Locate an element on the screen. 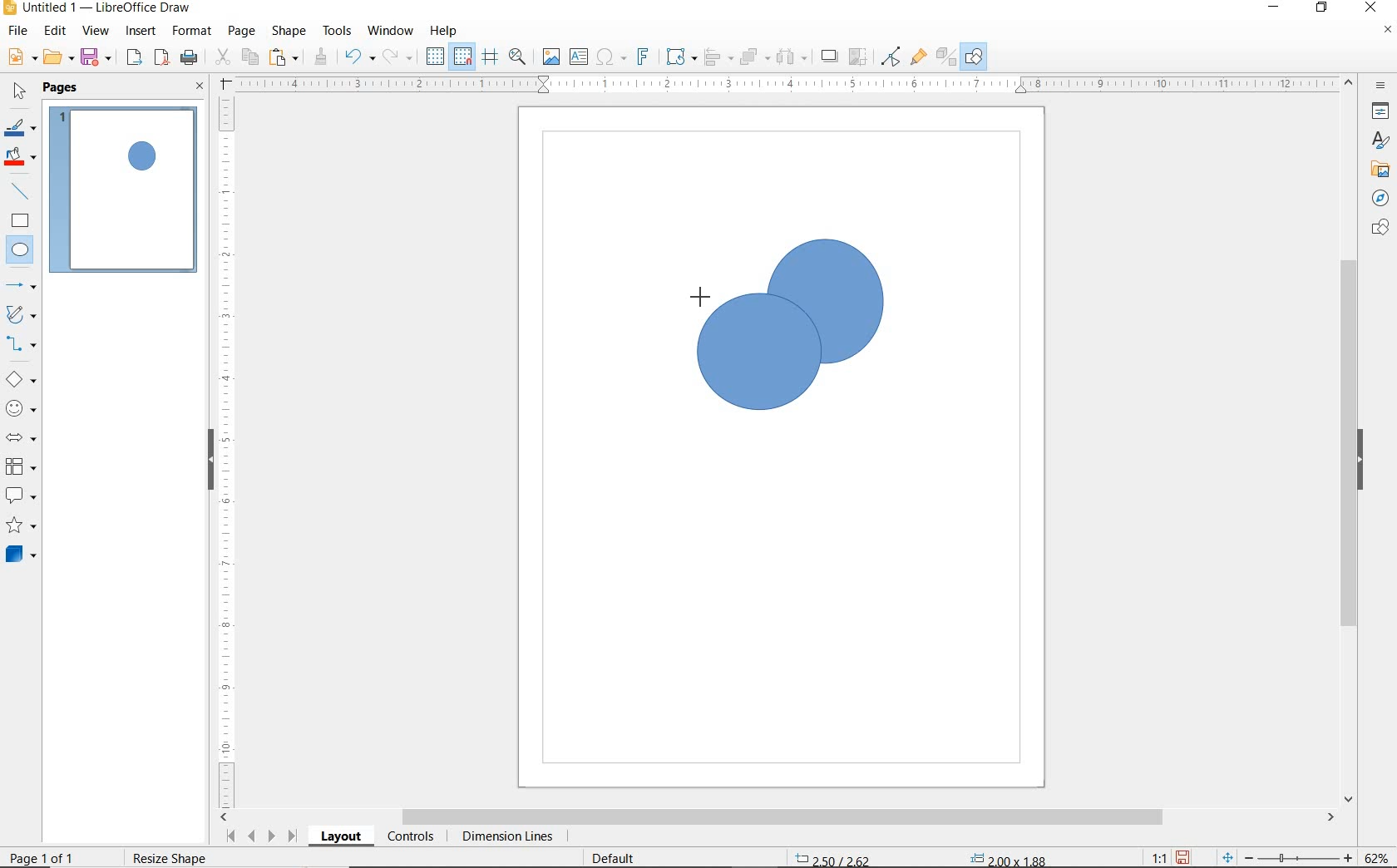 This screenshot has height=868, width=1397. WINDOW is located at coordinates (390, 31).